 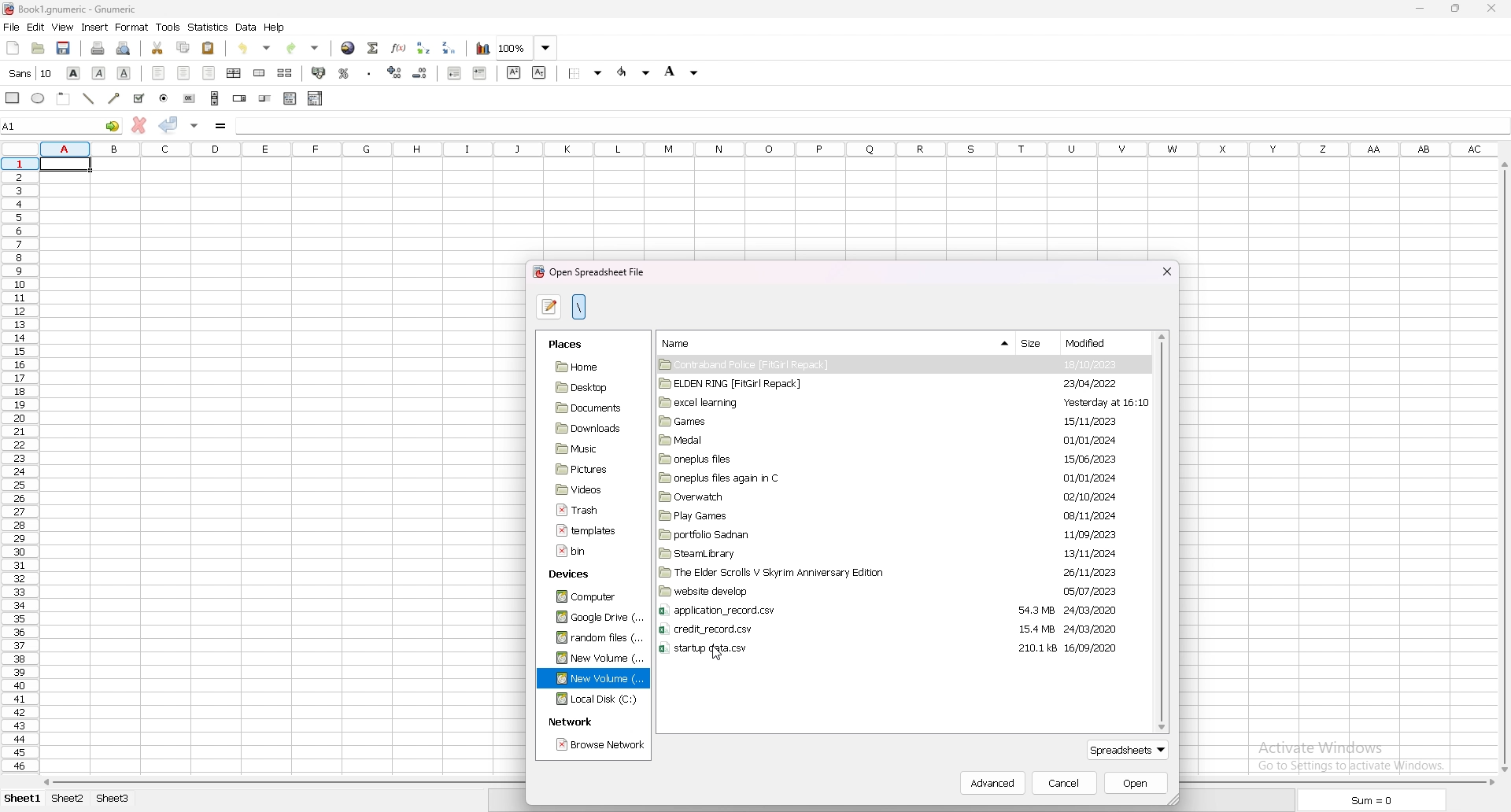 What do you see at coordinates (20, 467) in the screenshot?
I see `rows` at bounding box center [20, 467].